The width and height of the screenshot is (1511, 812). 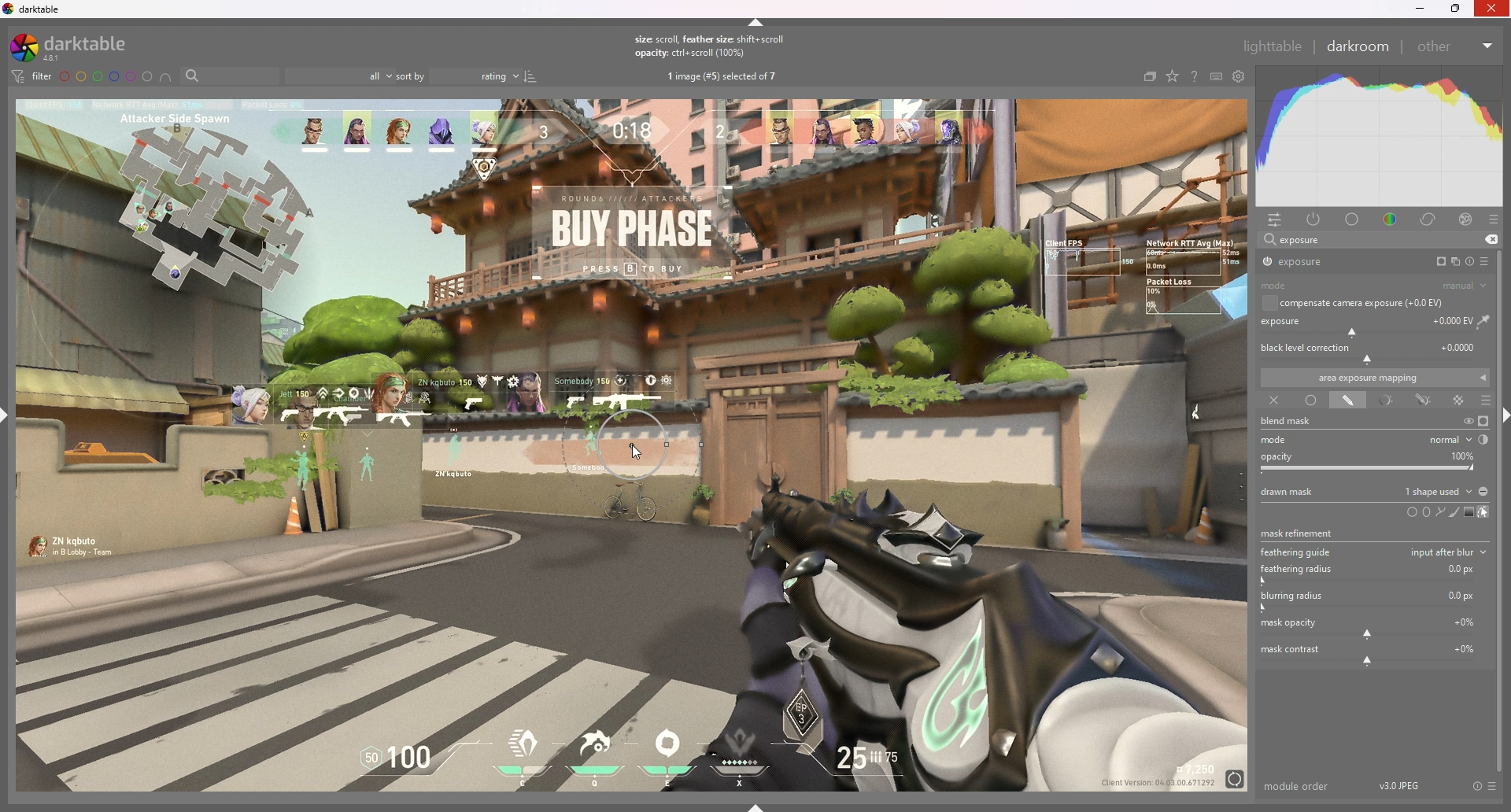 What do you see at coordinates (340, 76) in the screenshot?
I see `filter by images rating` at bounding box center [340, 76].